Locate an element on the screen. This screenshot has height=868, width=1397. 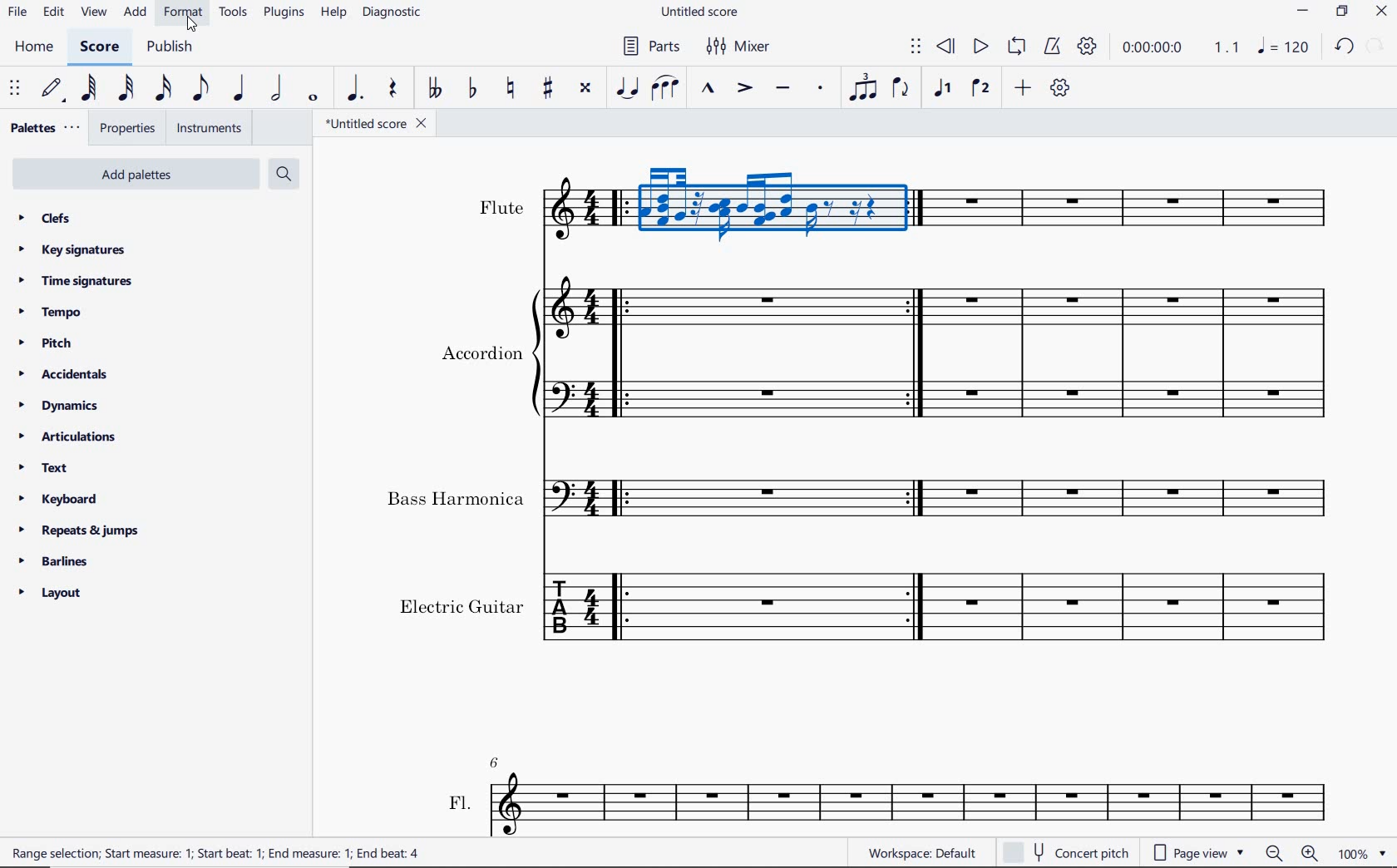
rest is located at coordinates (397, 89).